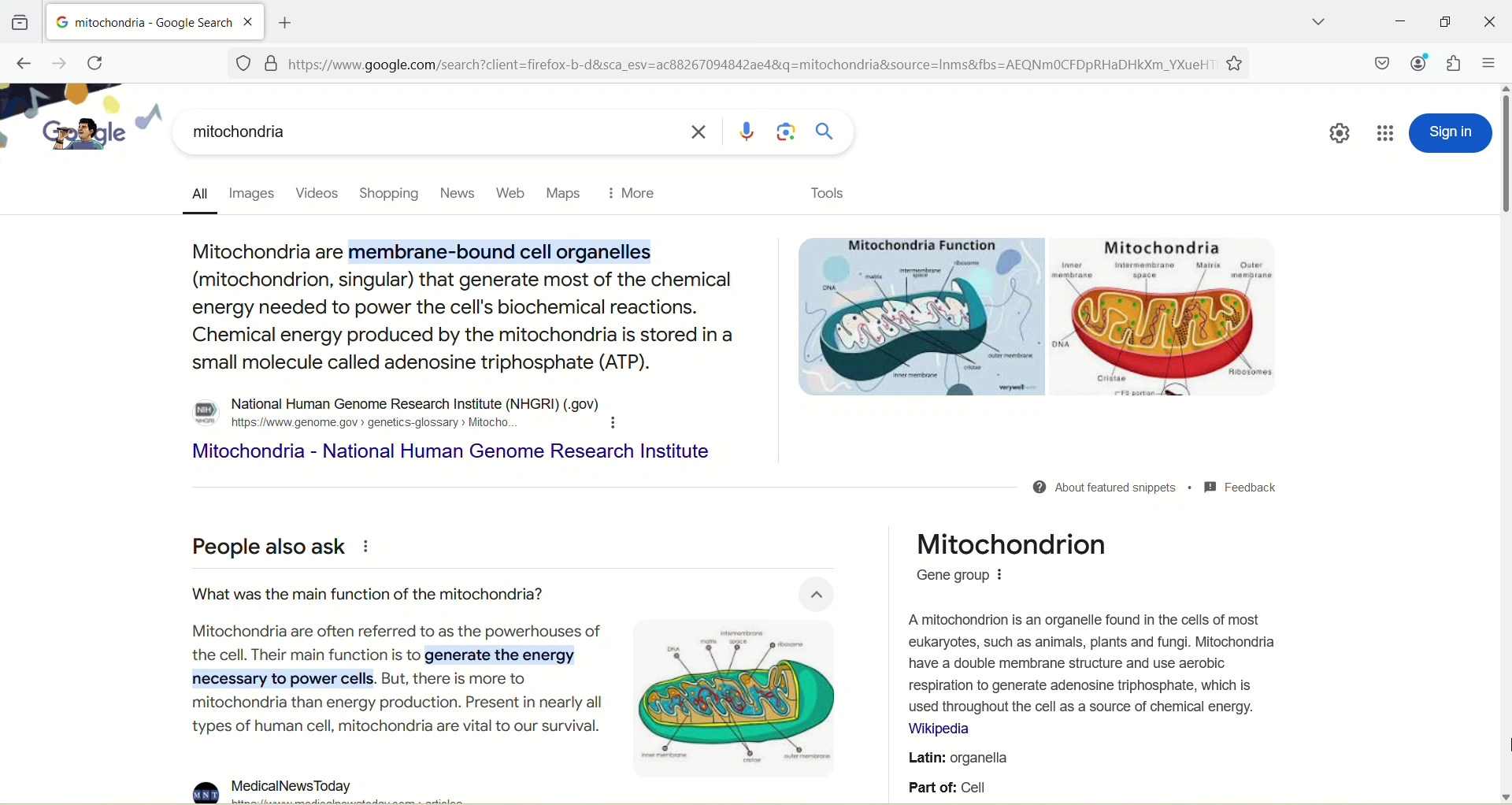 The width and height of the screenshot is (1512, 805). What do you see at coordinates (818, 595) in the screenshot?
I see `close button` at bounding box center [818, 595].